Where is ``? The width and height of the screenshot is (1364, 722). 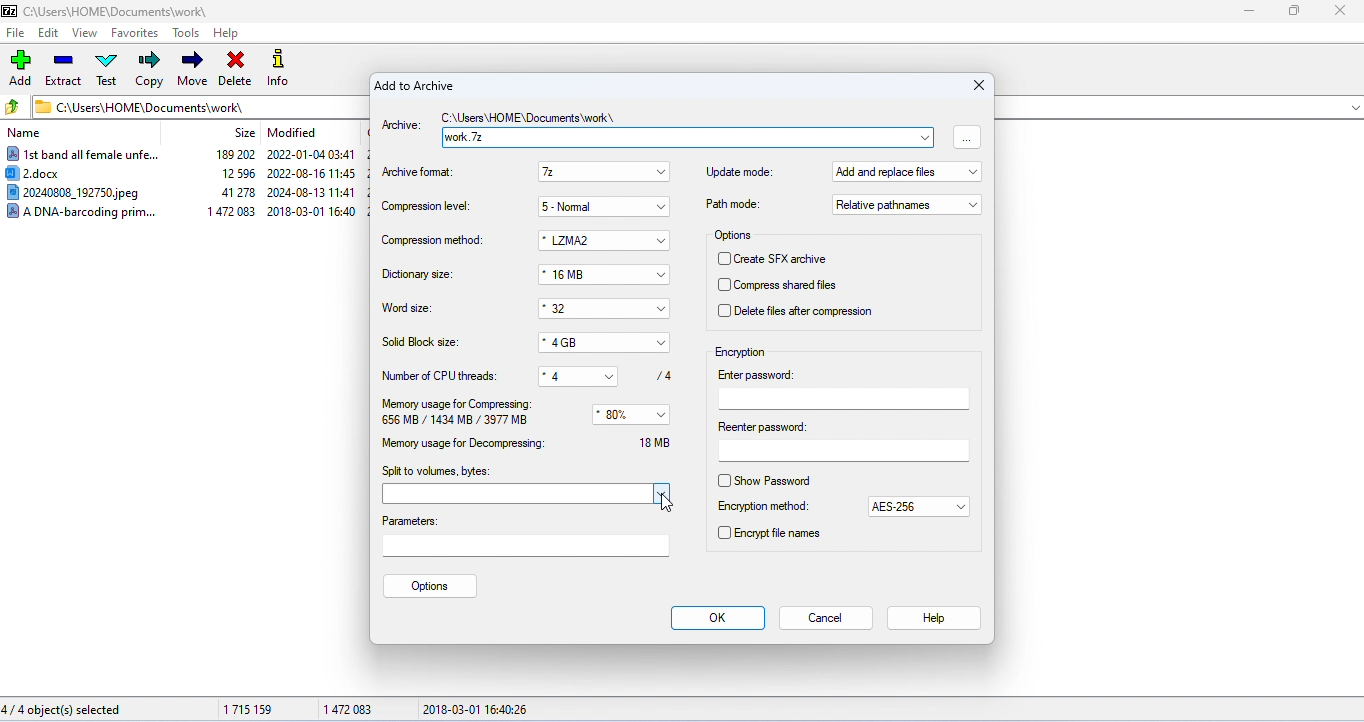
 is located at coordinates (663, 276).